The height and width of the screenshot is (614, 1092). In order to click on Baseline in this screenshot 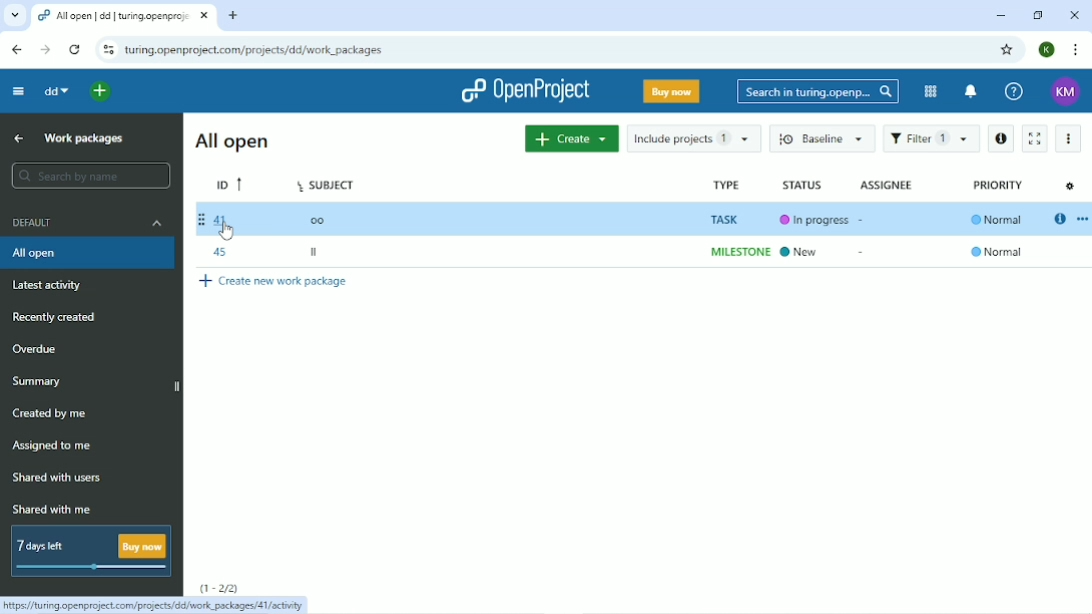, I will do `click(821, 138)`.